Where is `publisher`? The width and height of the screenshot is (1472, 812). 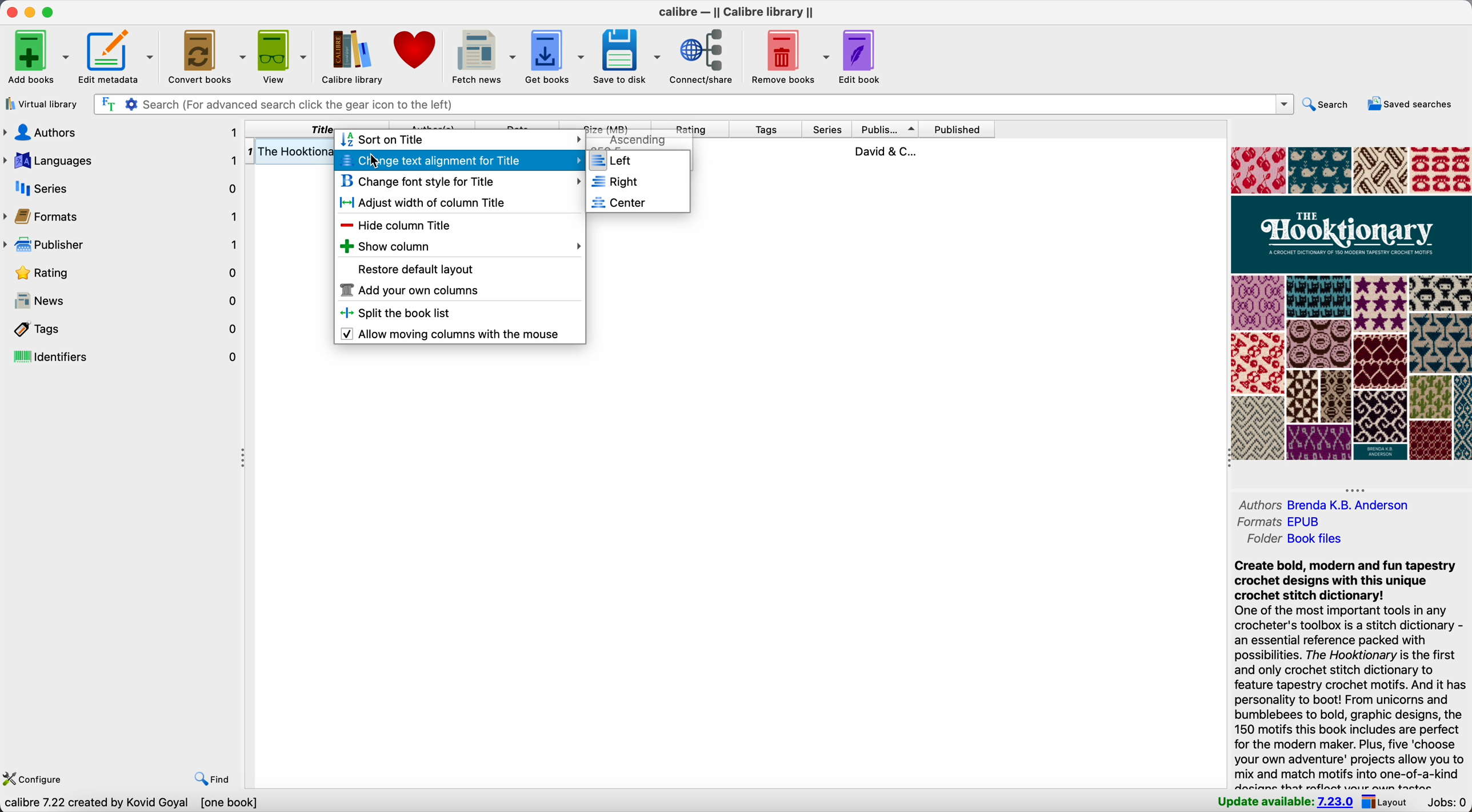
publisher is located at coordinates (888, 128).